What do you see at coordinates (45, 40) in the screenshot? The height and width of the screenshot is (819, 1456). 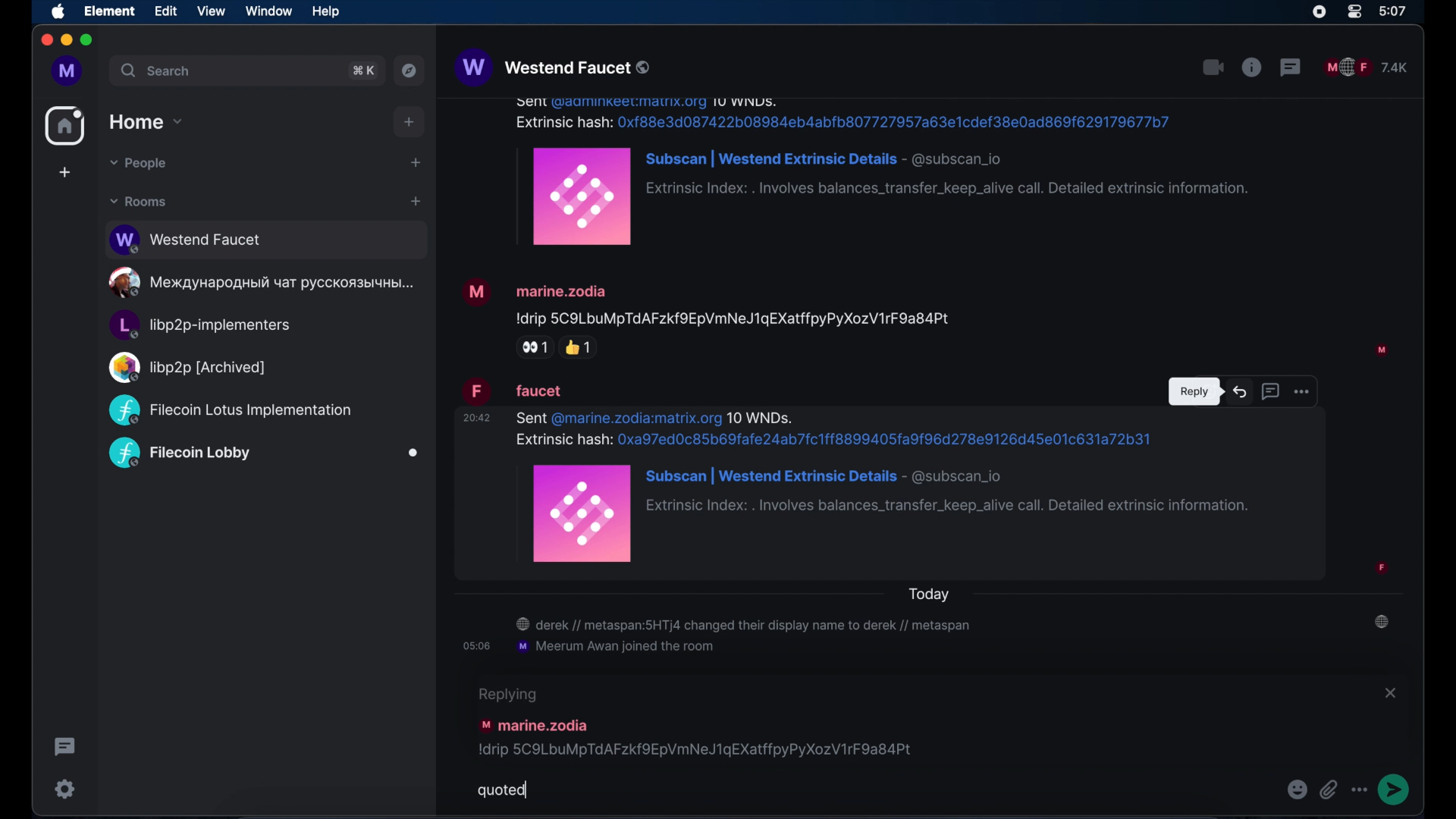 I see `close` at bounding box center [45, 40].